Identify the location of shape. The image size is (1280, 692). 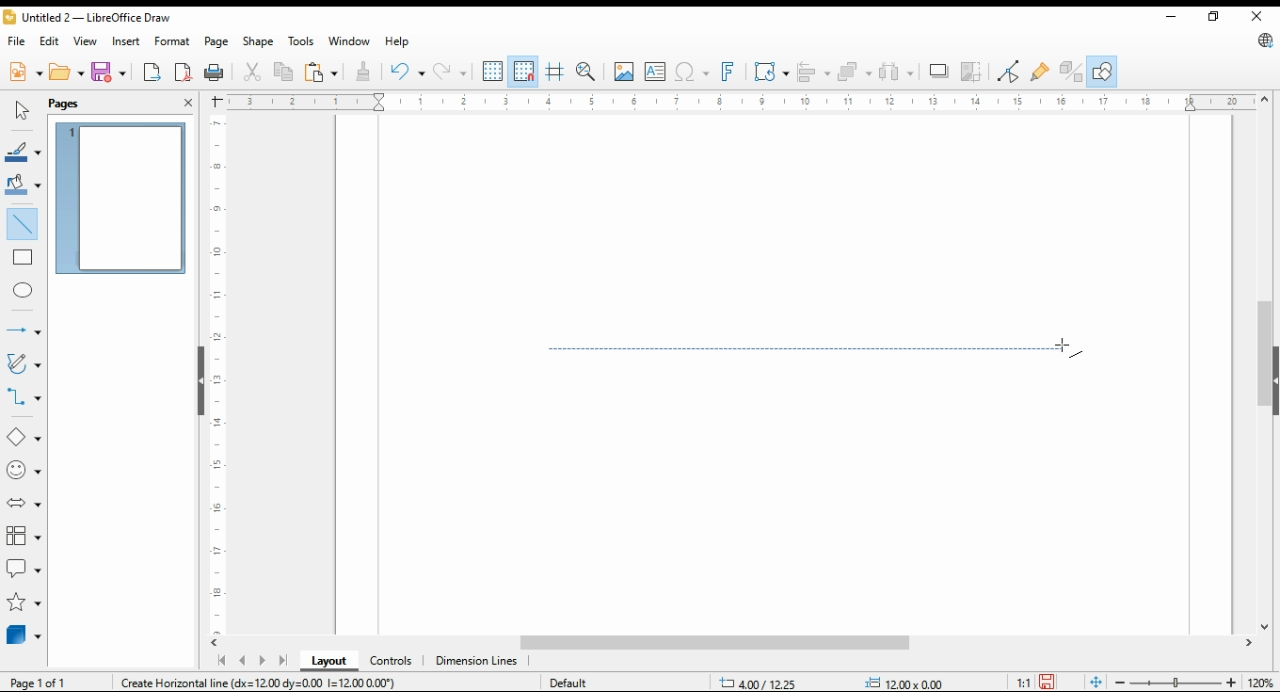
(259, 41).